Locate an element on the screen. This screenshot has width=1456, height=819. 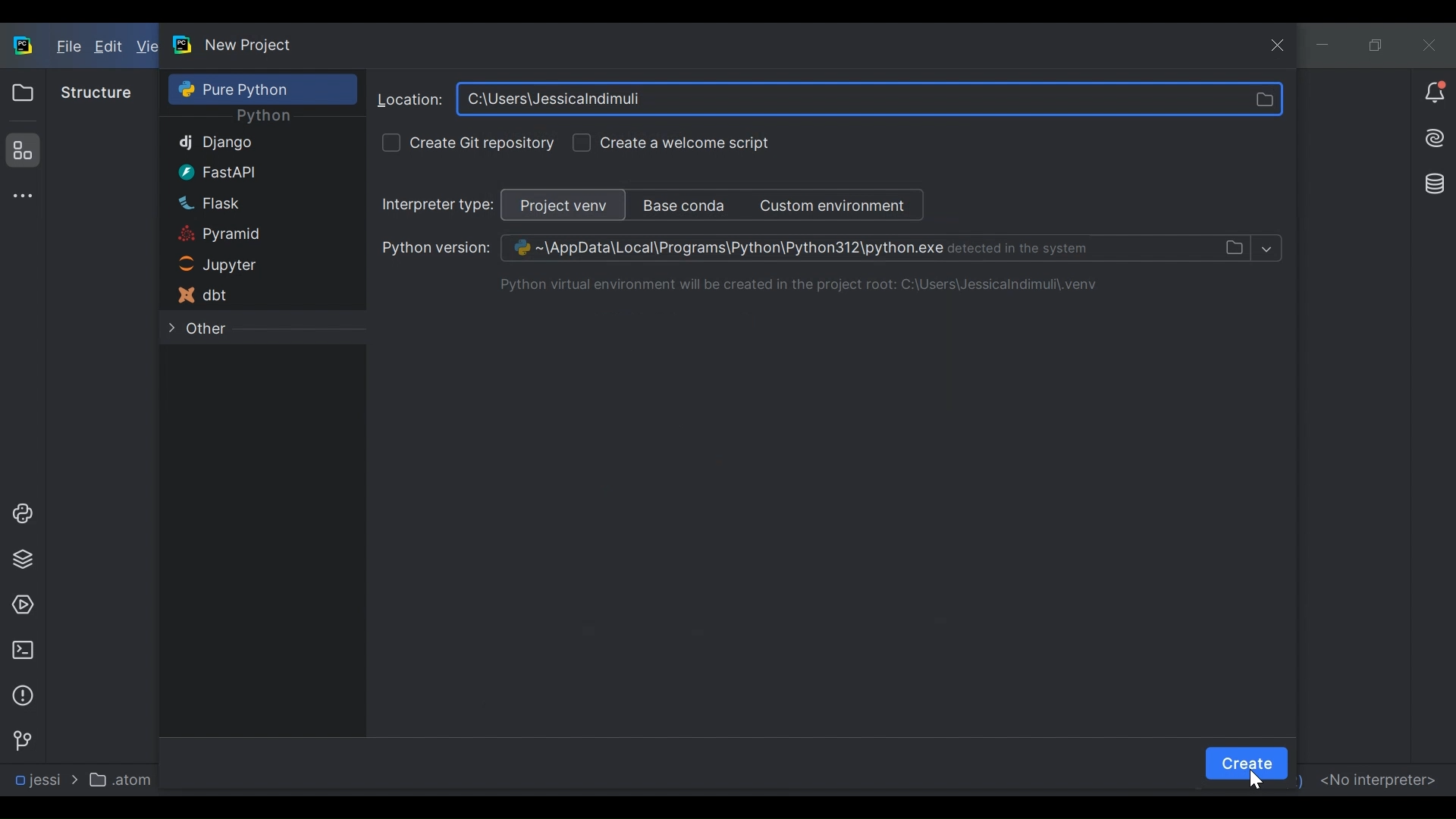
Text is located at coordinates (699, 287).